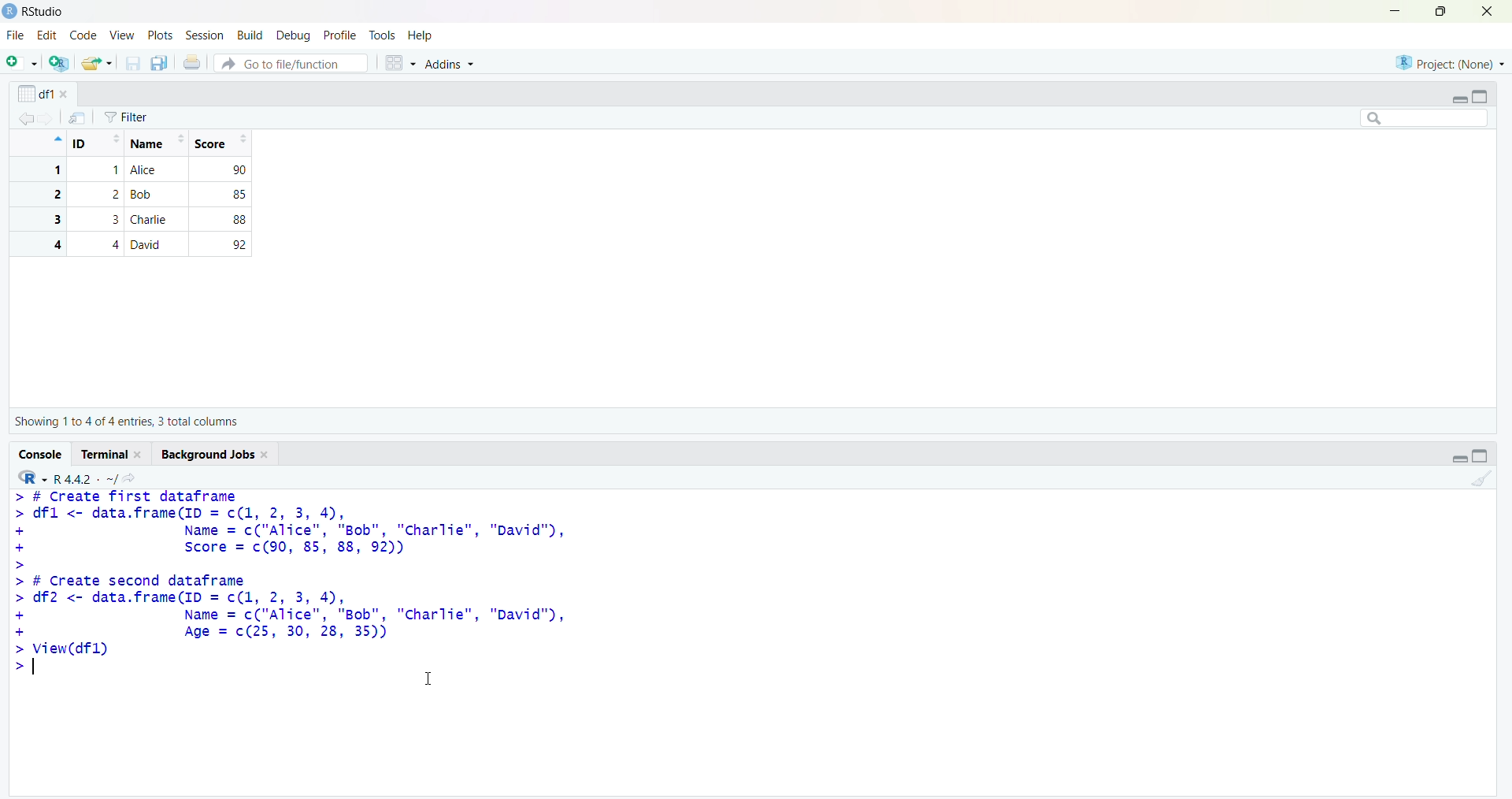 The image size is (1512, 799). What do you see at coordinates (1425, 117) in the screenshot?
I see `searchbox` at bounding box center [1425, 117].